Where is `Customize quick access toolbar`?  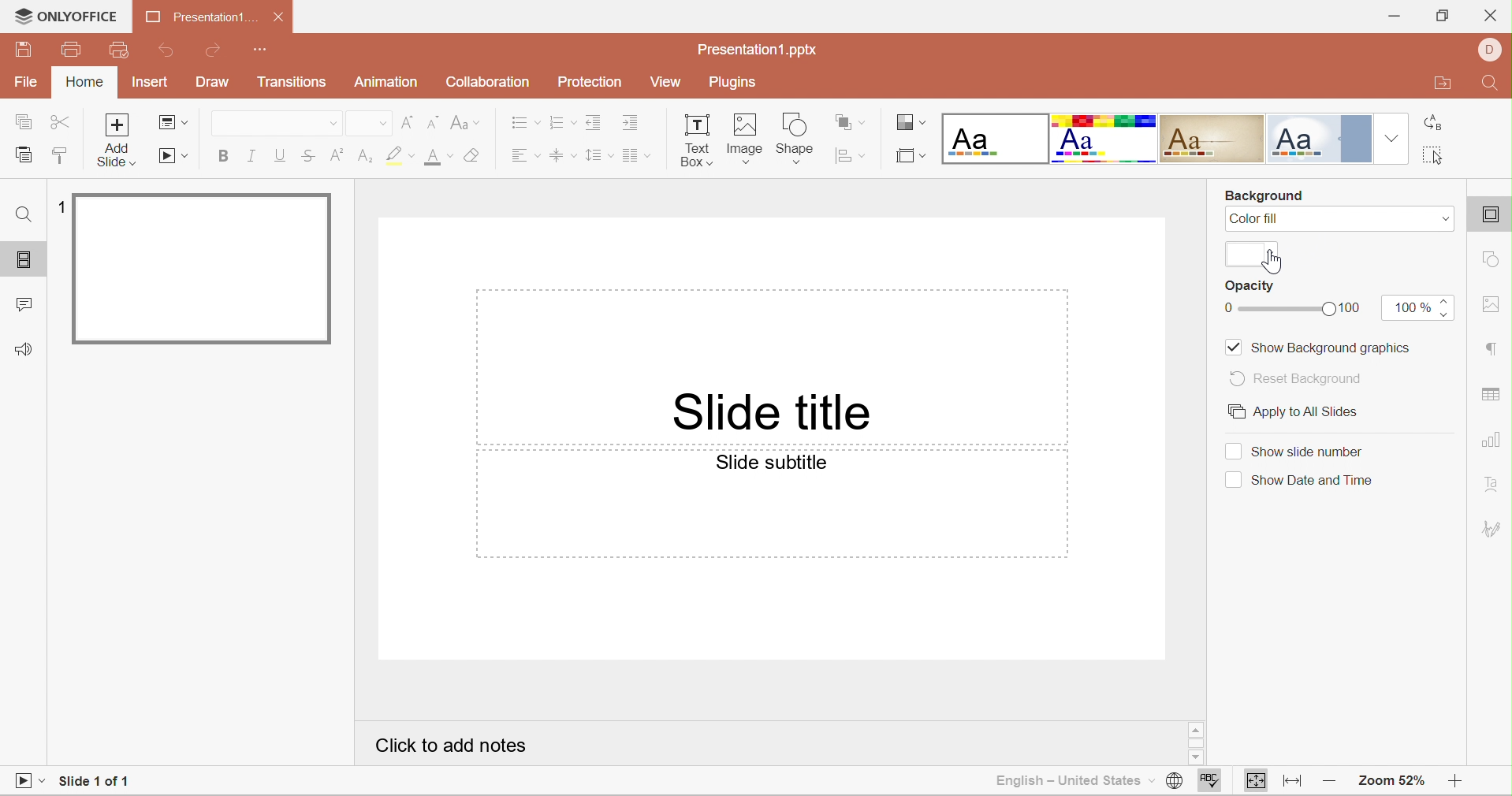
Customize quick access toolbar is located at coordinates (266, 50).